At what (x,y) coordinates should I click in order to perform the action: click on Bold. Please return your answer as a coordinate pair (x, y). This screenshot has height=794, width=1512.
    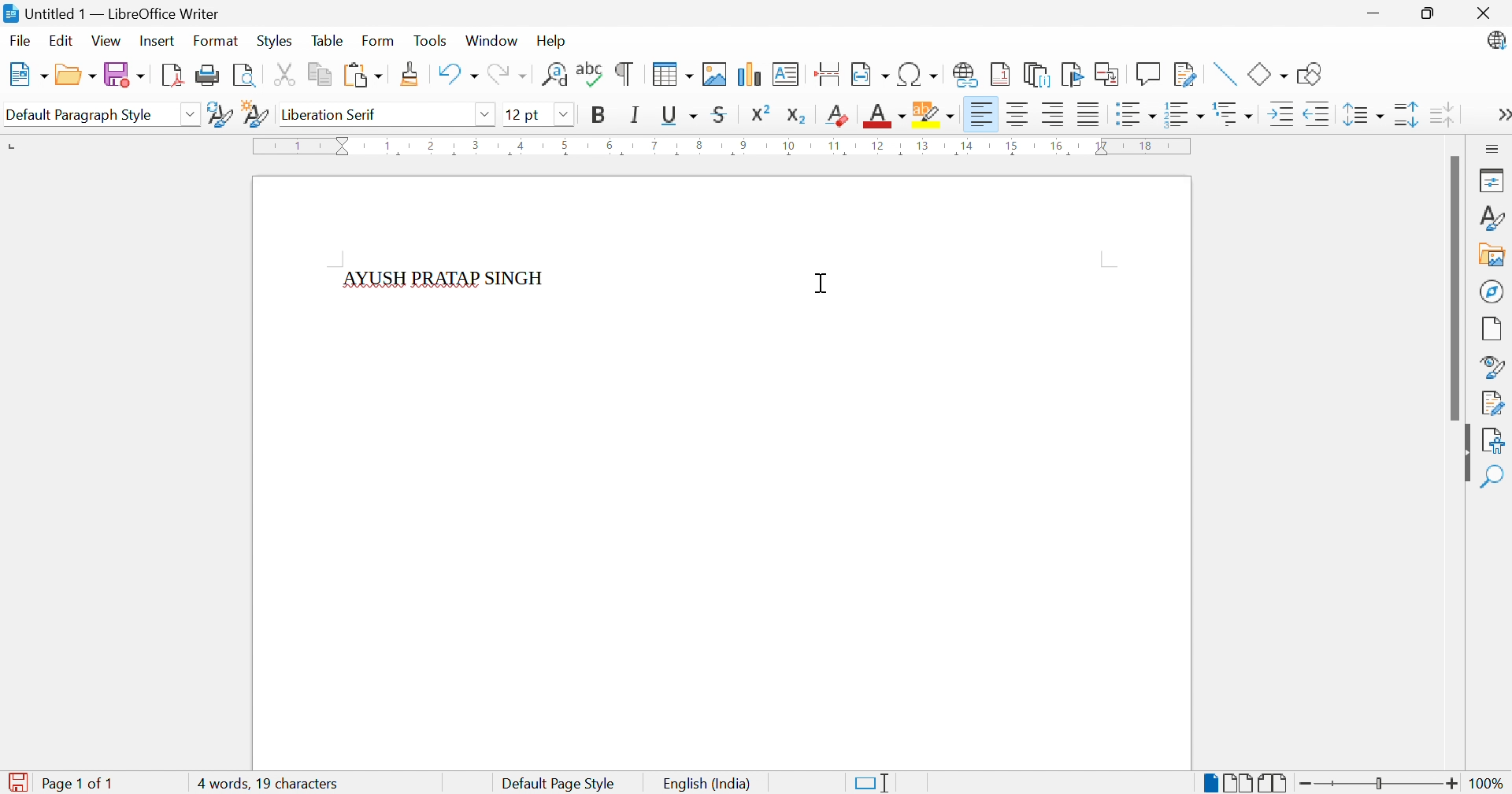
    Looking at the image, I should click on (598, 116).